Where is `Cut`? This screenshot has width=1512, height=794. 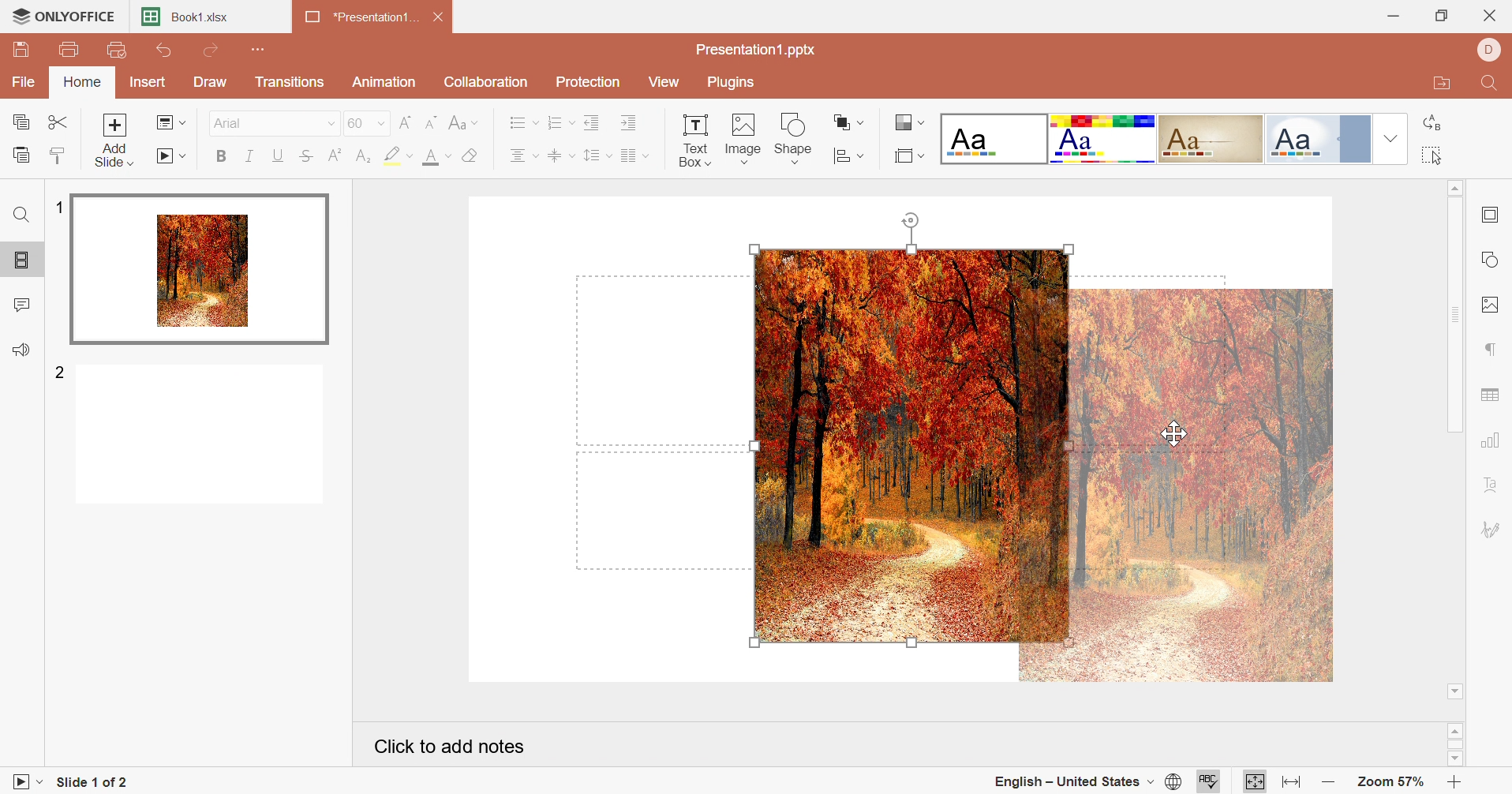 Cut is located at coordinates (58, 122).